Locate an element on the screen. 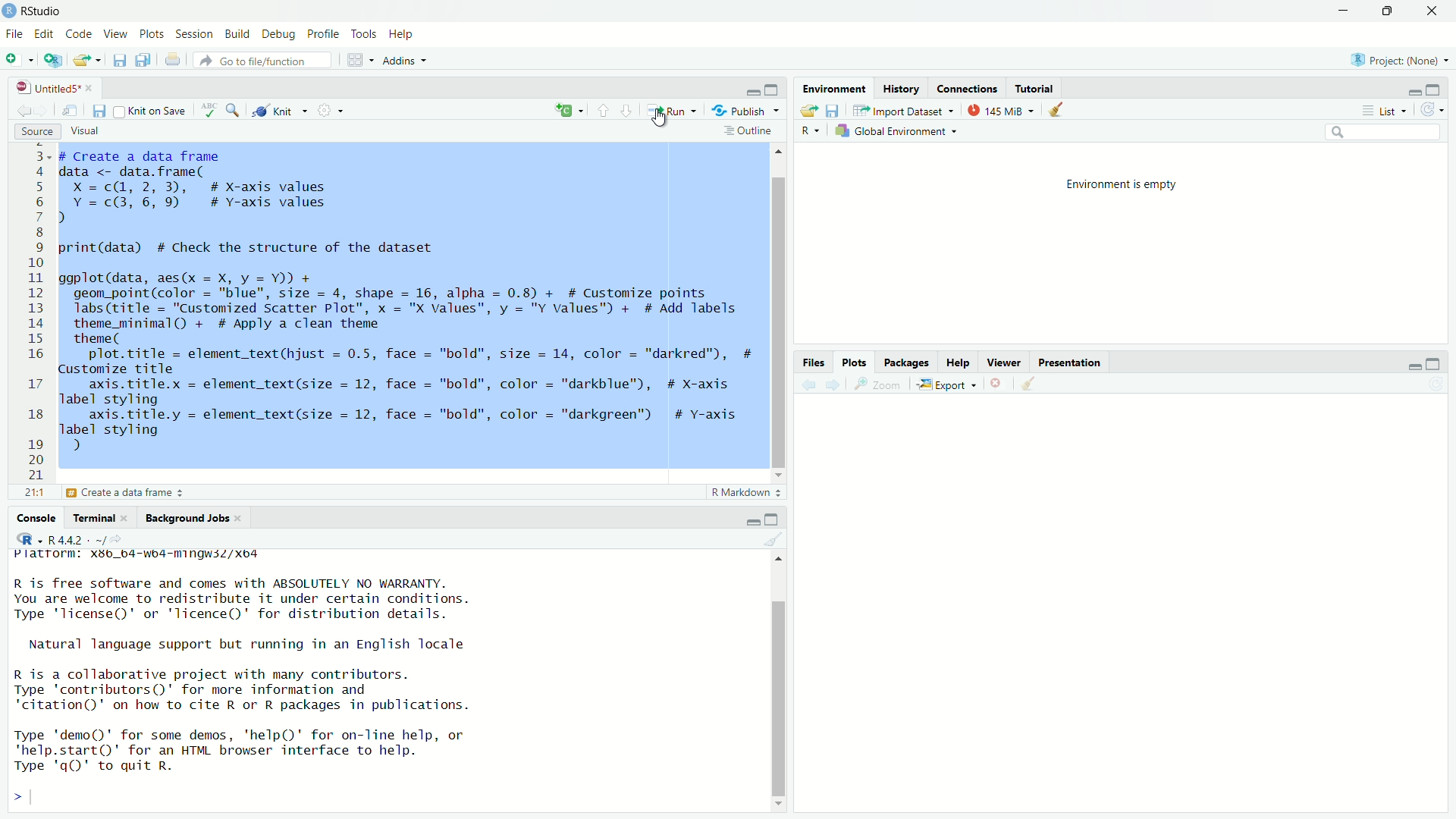 The width and height of the screenshot is (1456, 819). Plots is located at coordinates (154, 35).